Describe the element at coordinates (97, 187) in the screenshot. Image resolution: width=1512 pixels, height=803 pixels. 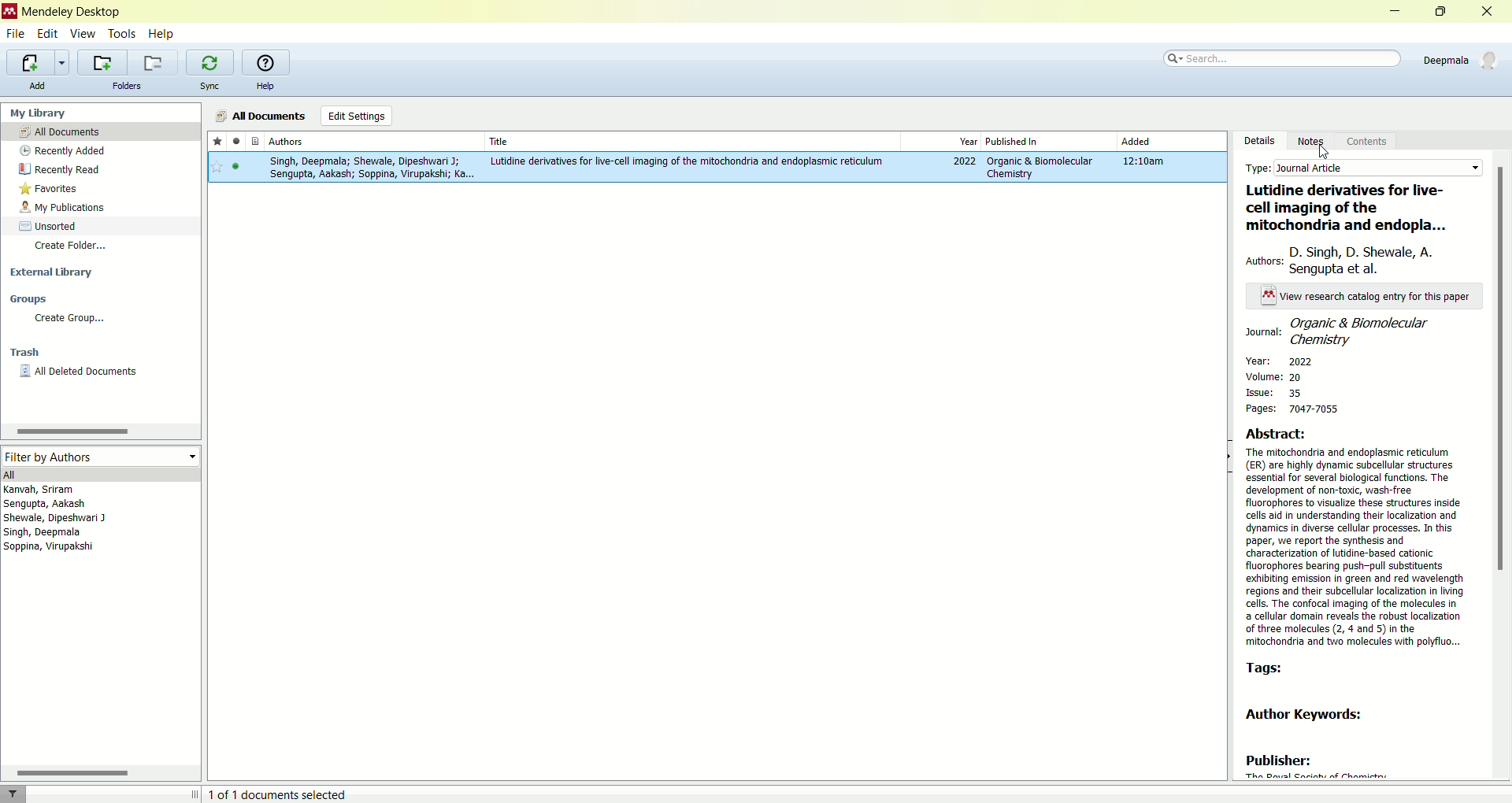
I see `favorites` at that location.